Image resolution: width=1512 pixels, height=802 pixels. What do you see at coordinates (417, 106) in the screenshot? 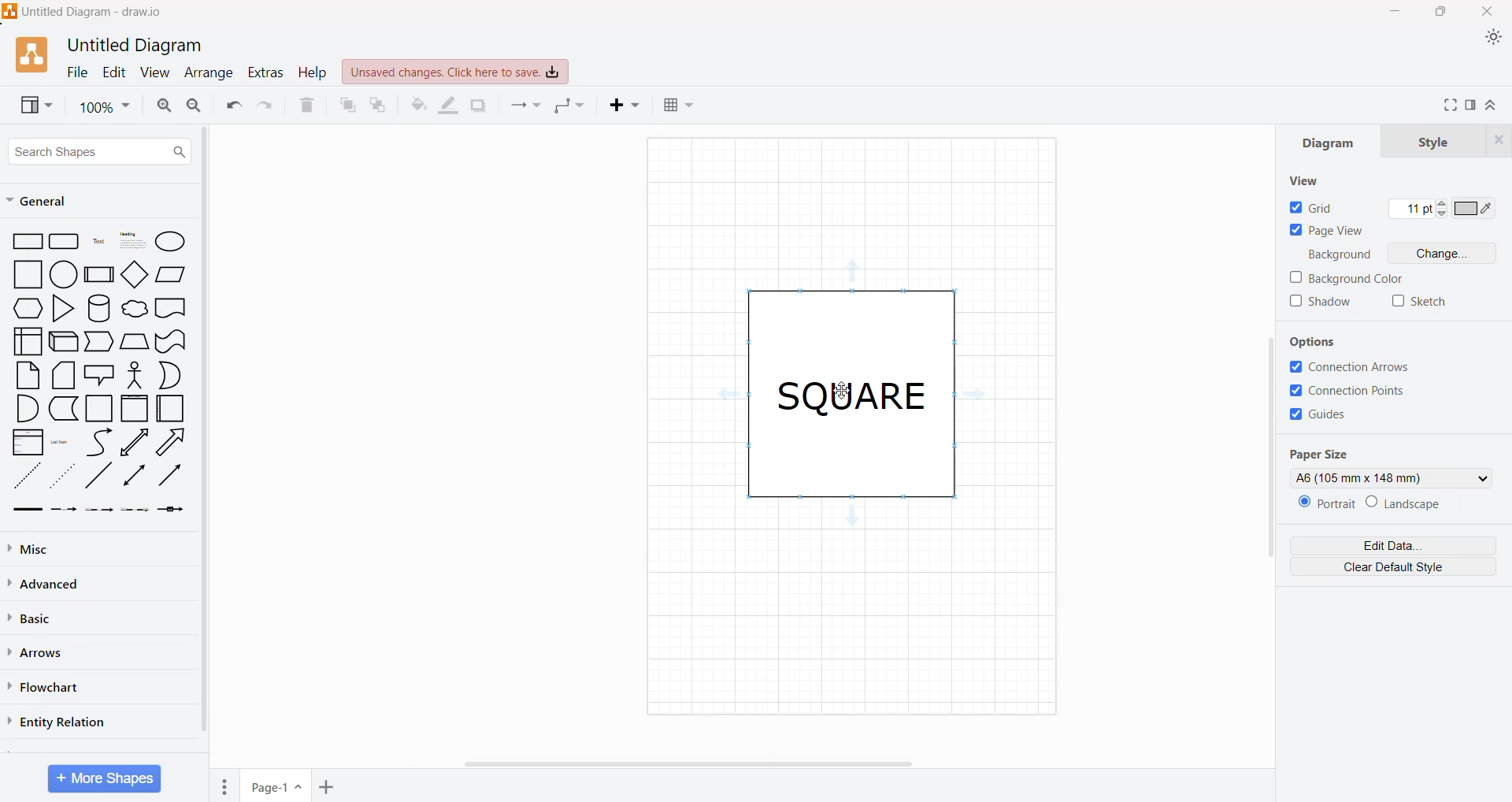
I see `Fill Color` at bounding box center [417, 106].